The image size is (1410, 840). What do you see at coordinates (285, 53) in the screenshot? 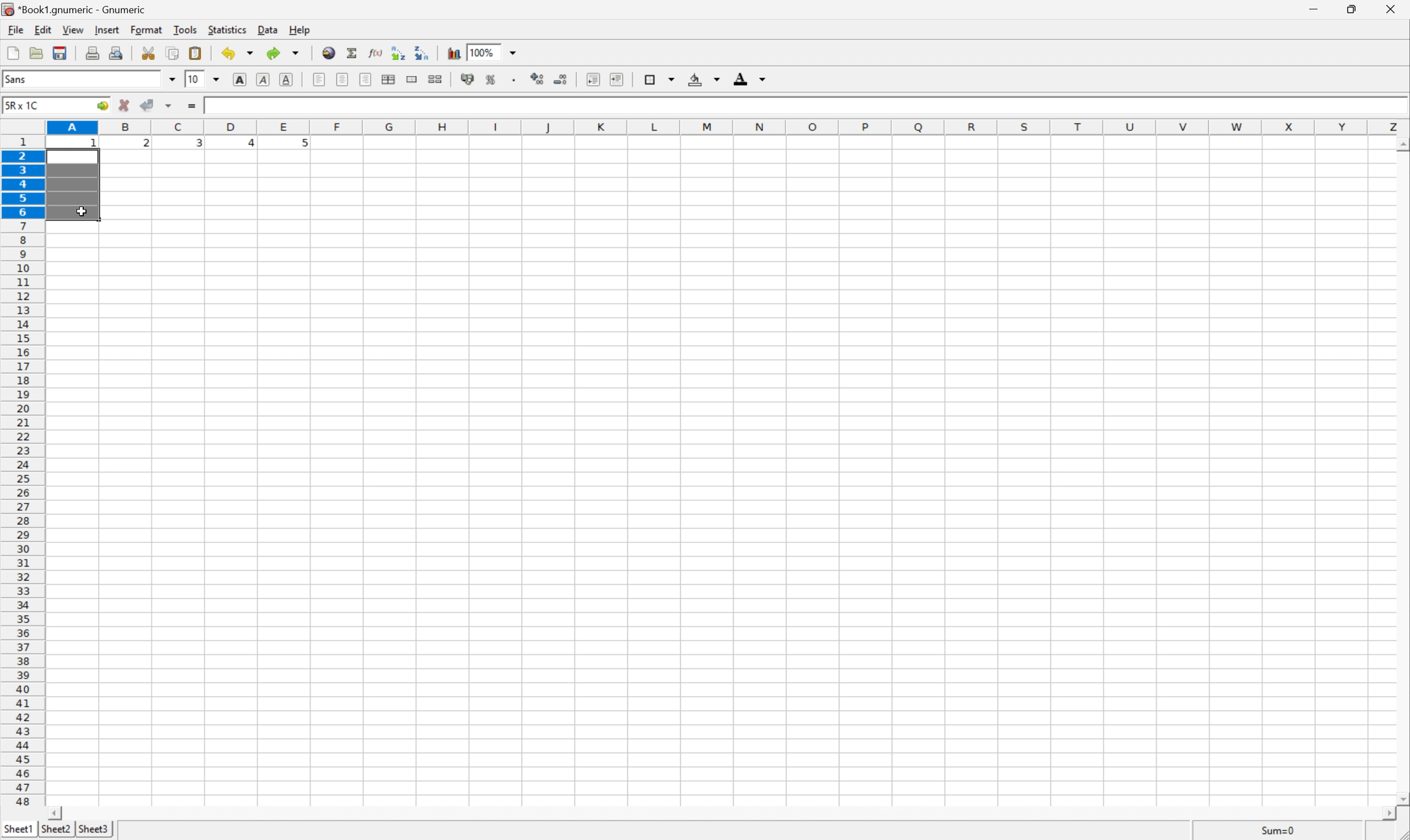
I see `redo` at bounding box center [285, 53].